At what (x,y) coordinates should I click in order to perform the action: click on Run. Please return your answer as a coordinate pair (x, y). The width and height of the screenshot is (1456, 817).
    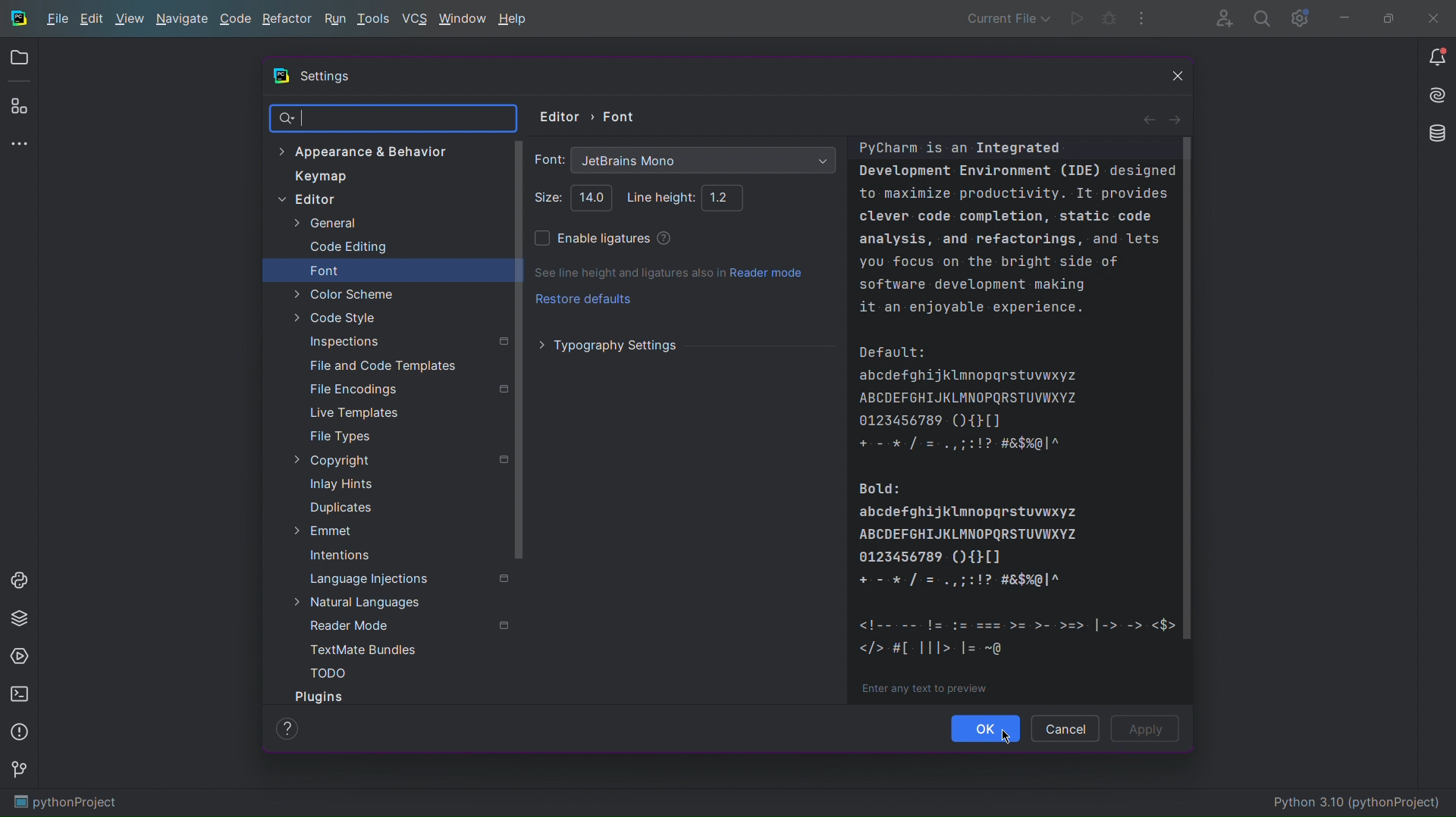
    Looking at the image, I should click on (334, 20).